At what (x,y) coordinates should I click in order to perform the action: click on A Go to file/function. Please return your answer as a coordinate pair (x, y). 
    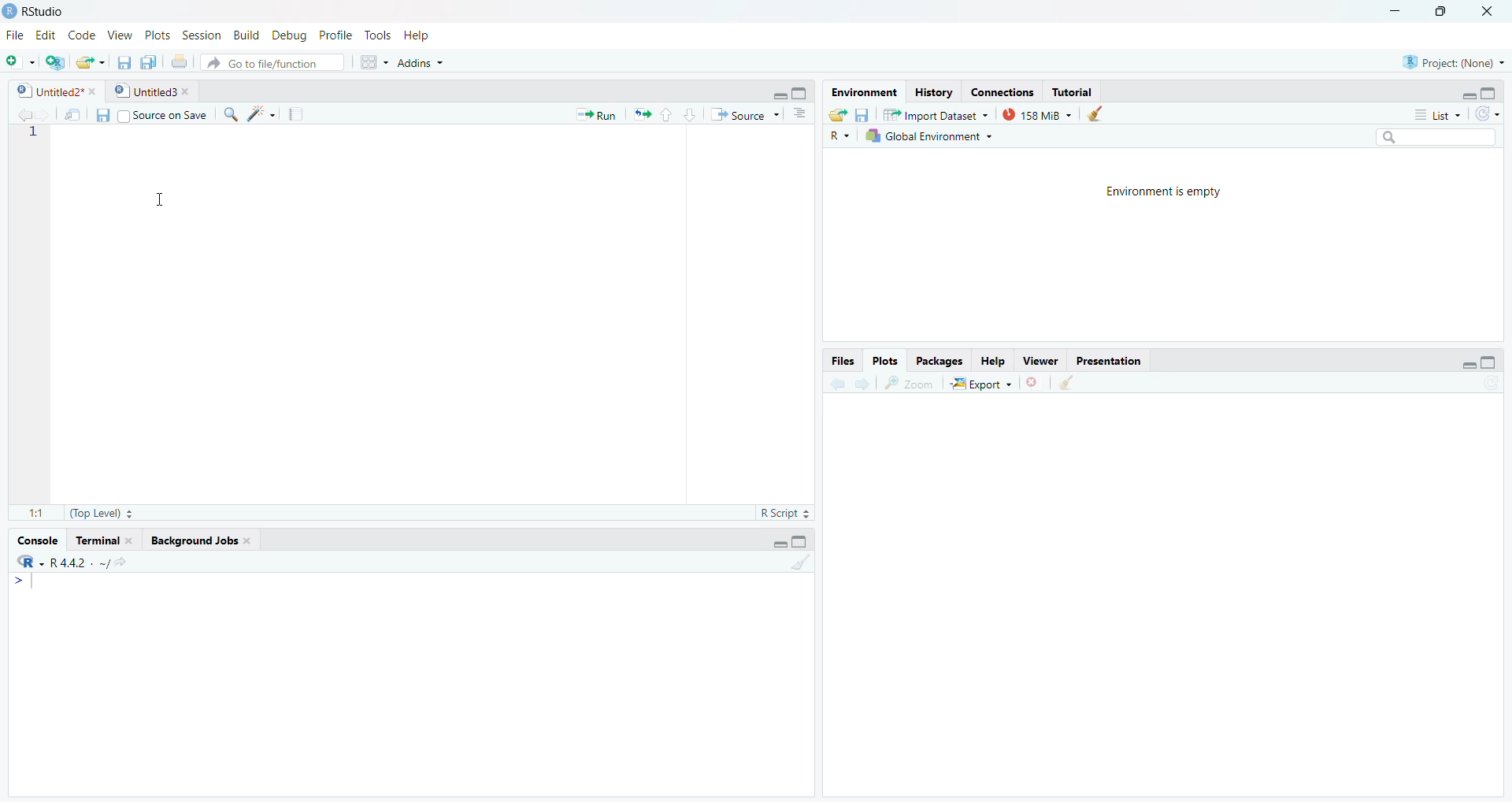
    Looking at the image, I should click on (272, 62).